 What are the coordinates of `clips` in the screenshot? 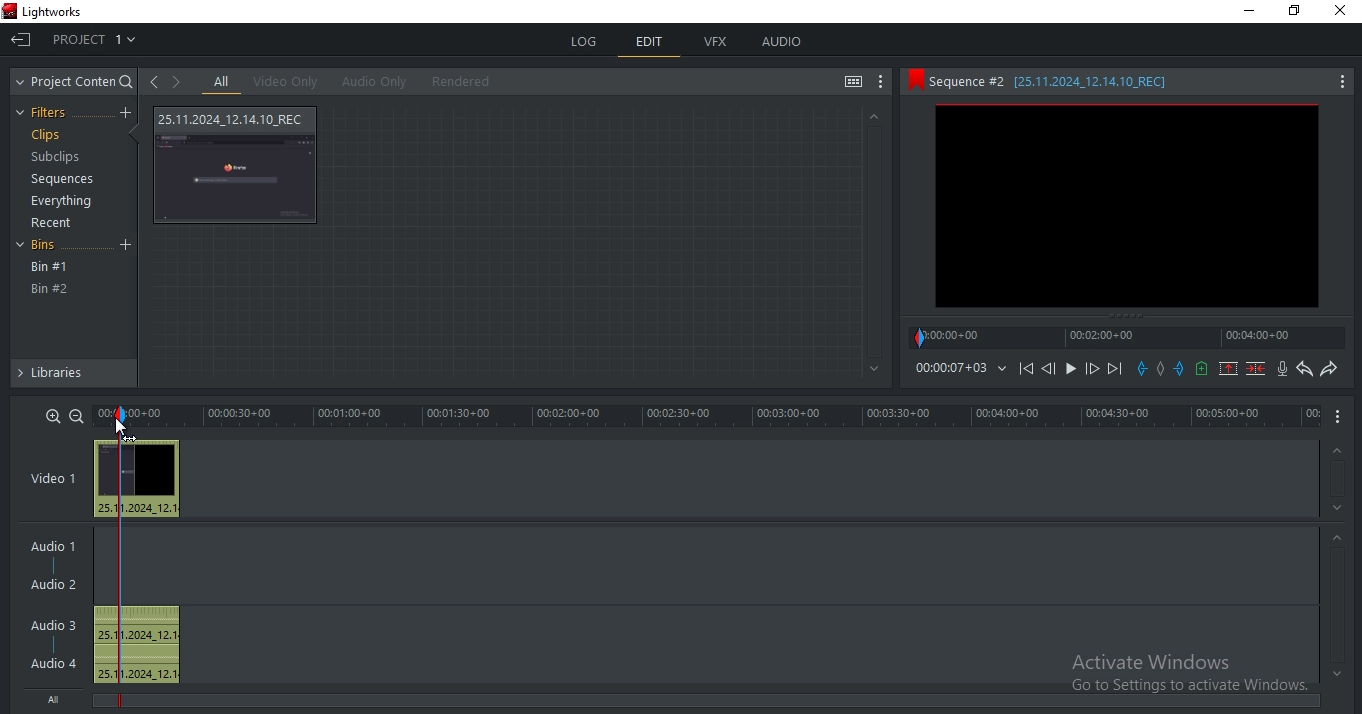 It's located at (45, 135).